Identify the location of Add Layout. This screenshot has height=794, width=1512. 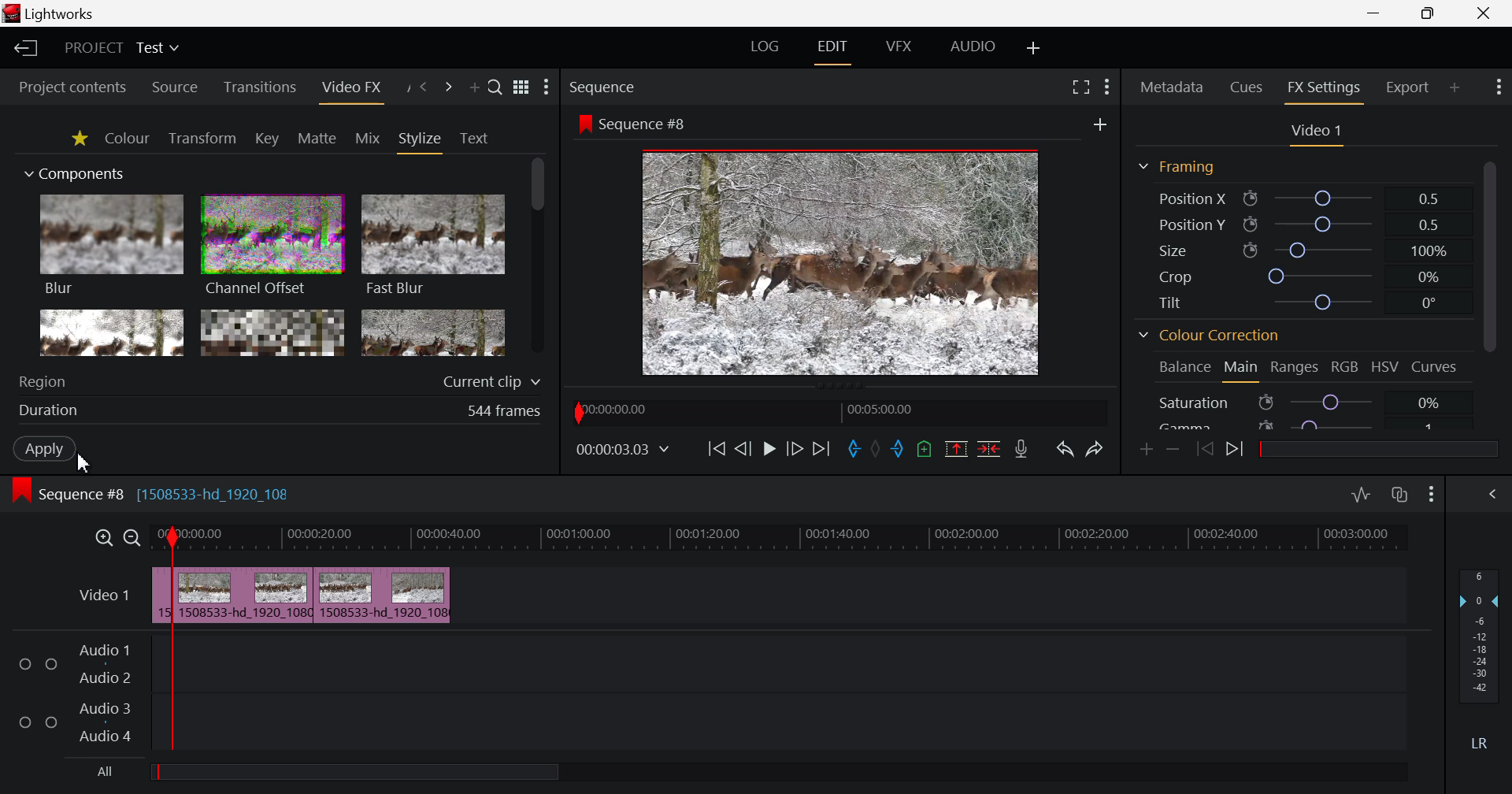
(1032, 48).